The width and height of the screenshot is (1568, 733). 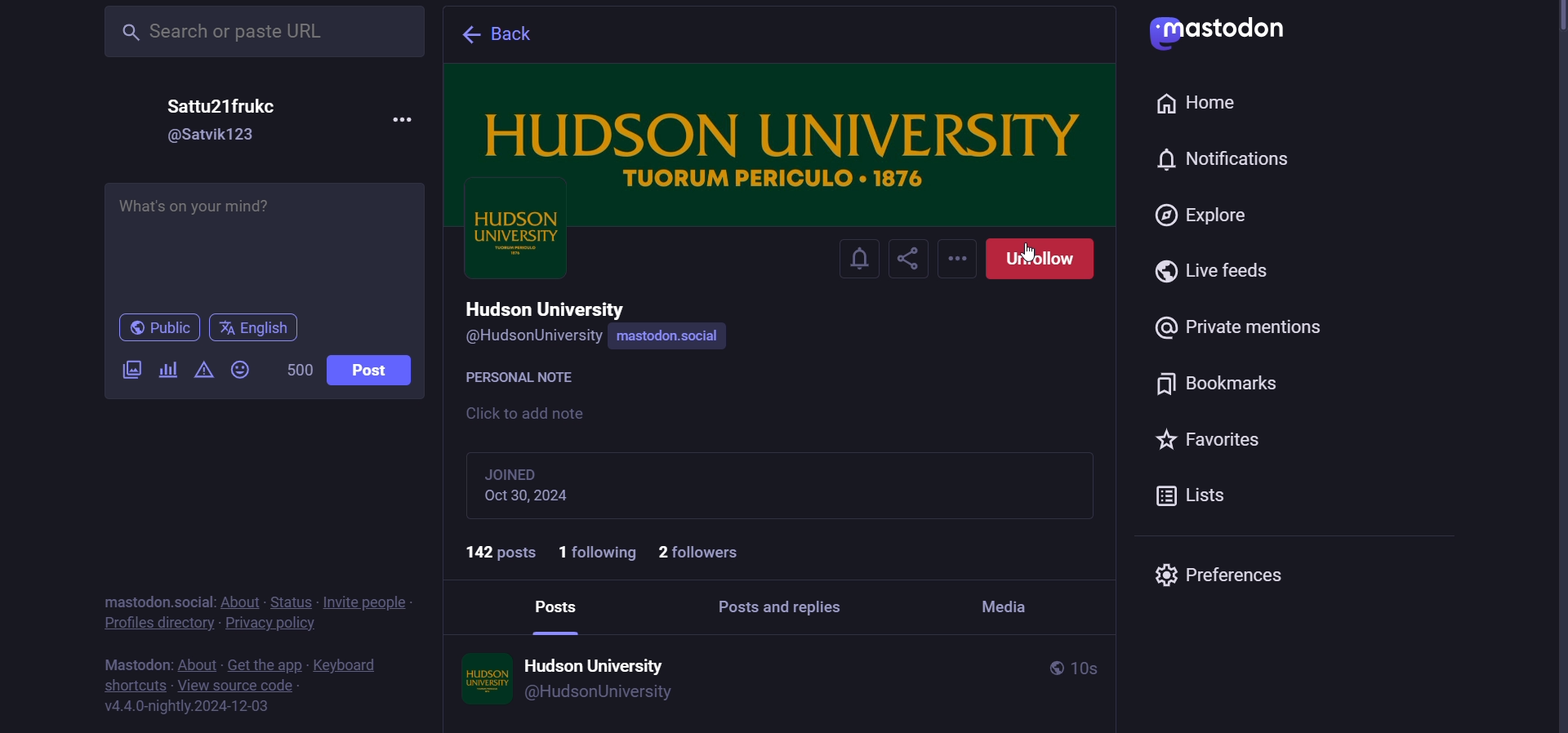 What do you see at coordinates (298, 371) in the screenshot?
I see `500` at bounding box center [298, 371].